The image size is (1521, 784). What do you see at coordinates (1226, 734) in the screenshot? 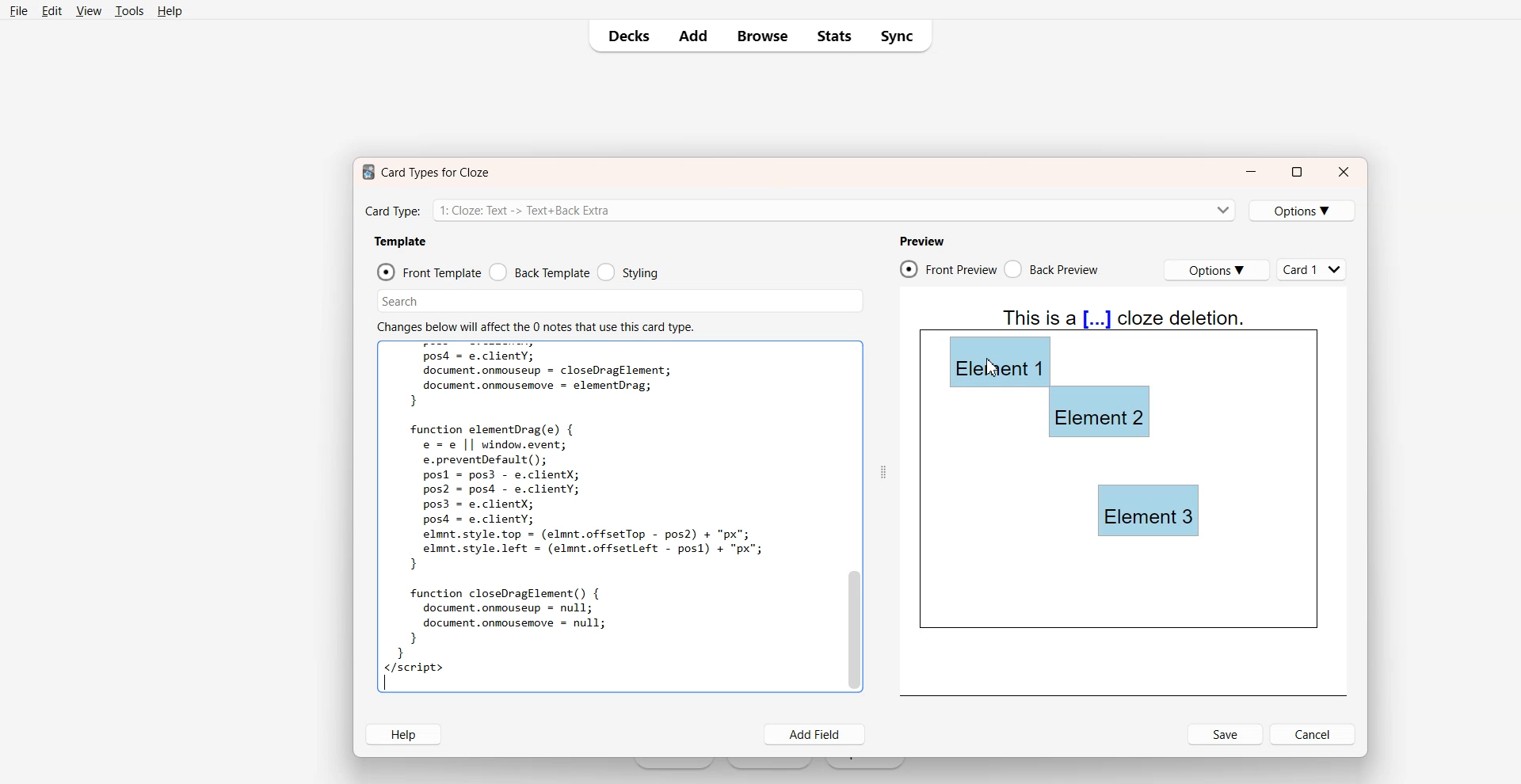
I see `Save` at bounding box center [1226, 734].